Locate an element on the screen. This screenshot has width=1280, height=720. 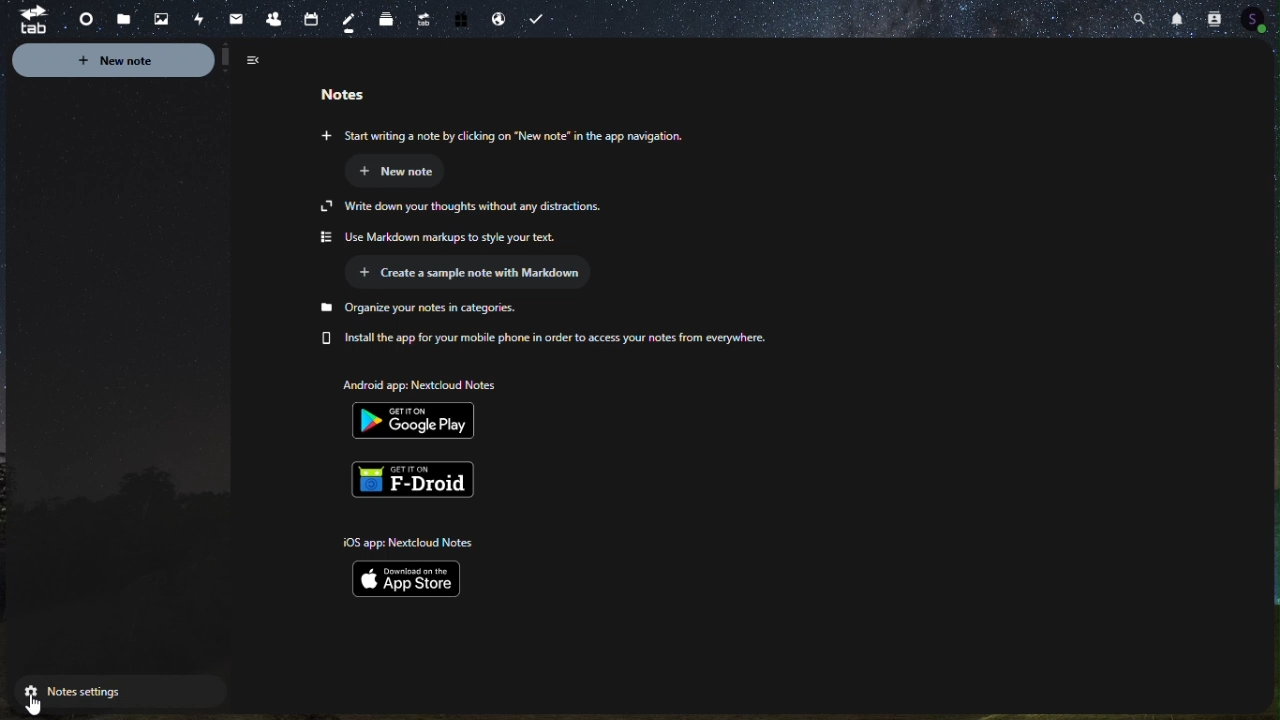
Write down your thoughts without any distractions. is located at coordinates (468, 206).